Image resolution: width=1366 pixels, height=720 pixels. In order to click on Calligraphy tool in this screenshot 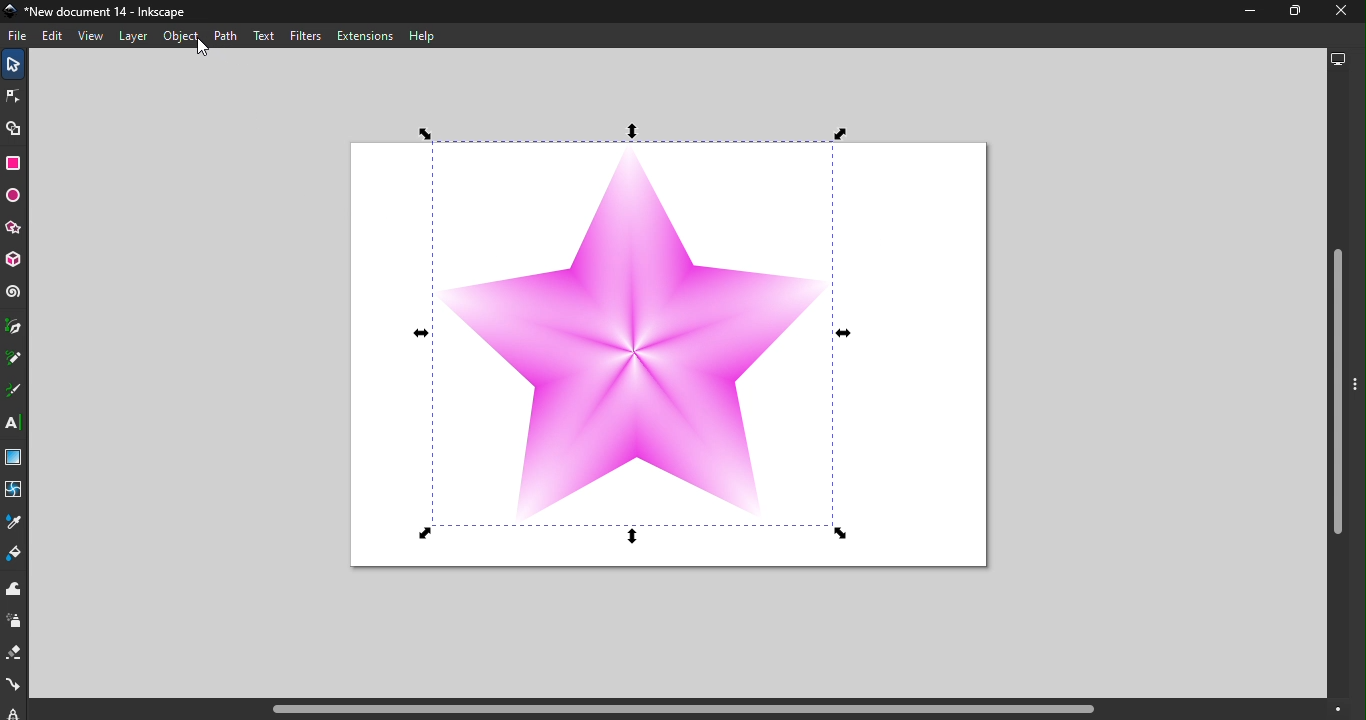, I will do `click(14, 389)`.